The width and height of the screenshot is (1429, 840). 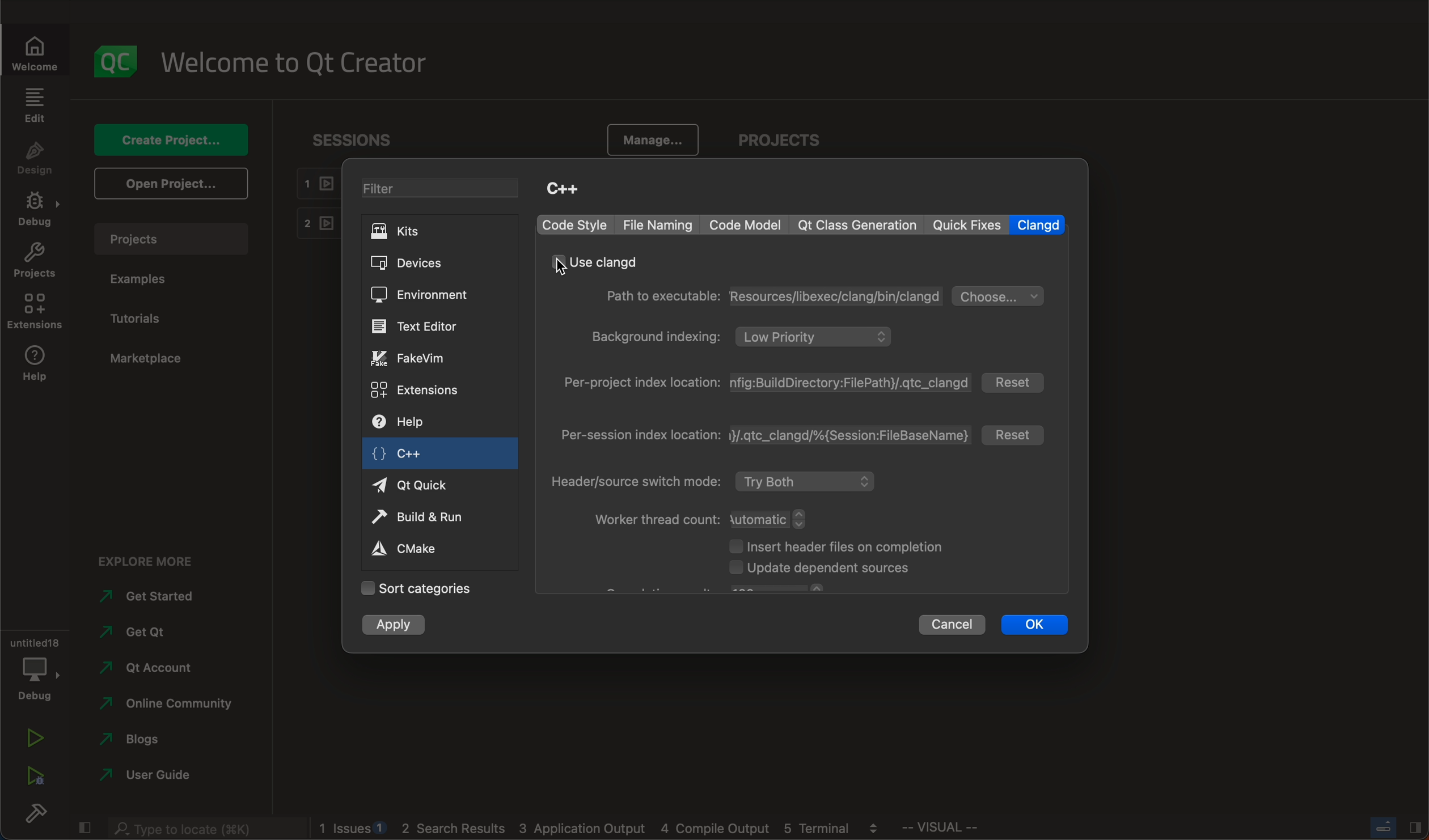 What do you see at coordinates (1043, 624) in the screenshot?
I see `ok` at bounding box center [1043, 624].